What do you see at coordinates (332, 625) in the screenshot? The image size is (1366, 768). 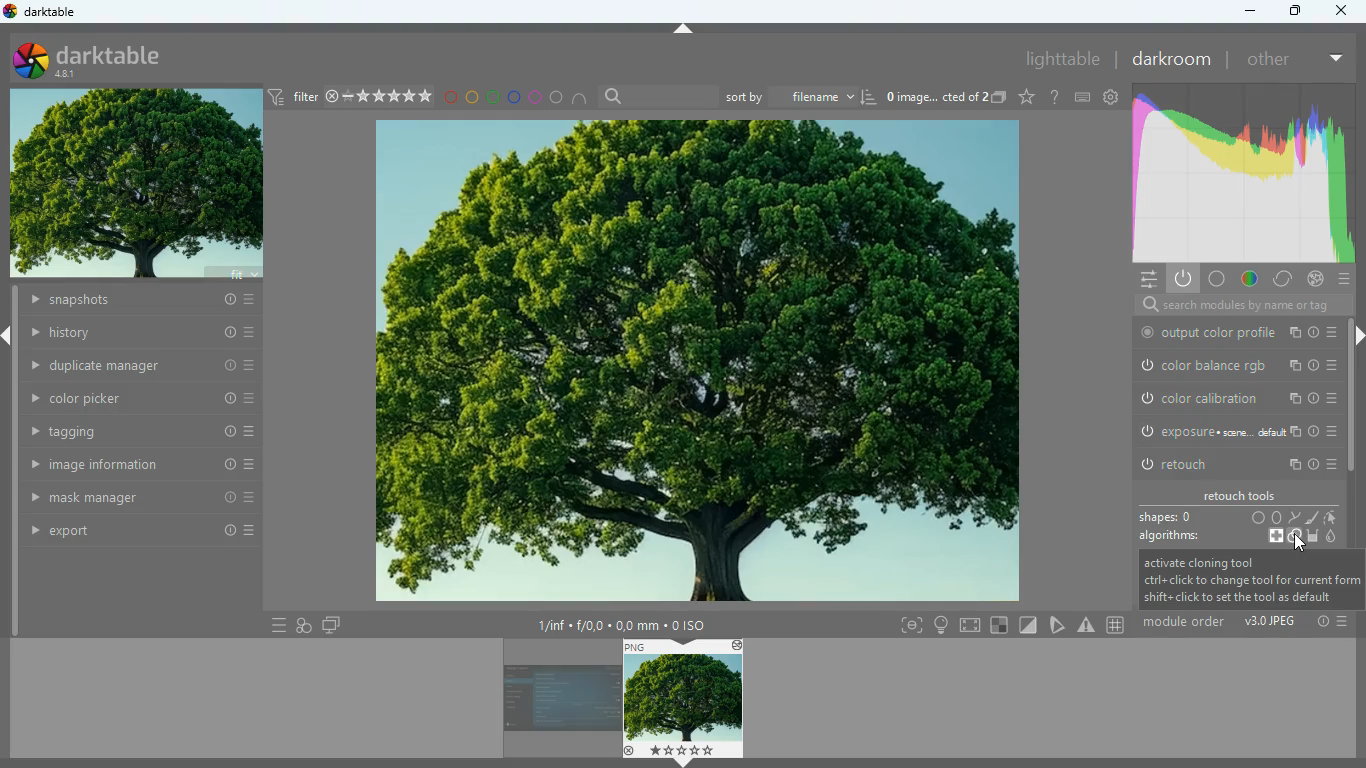 I see `screen` at bounding box center [332, 625].